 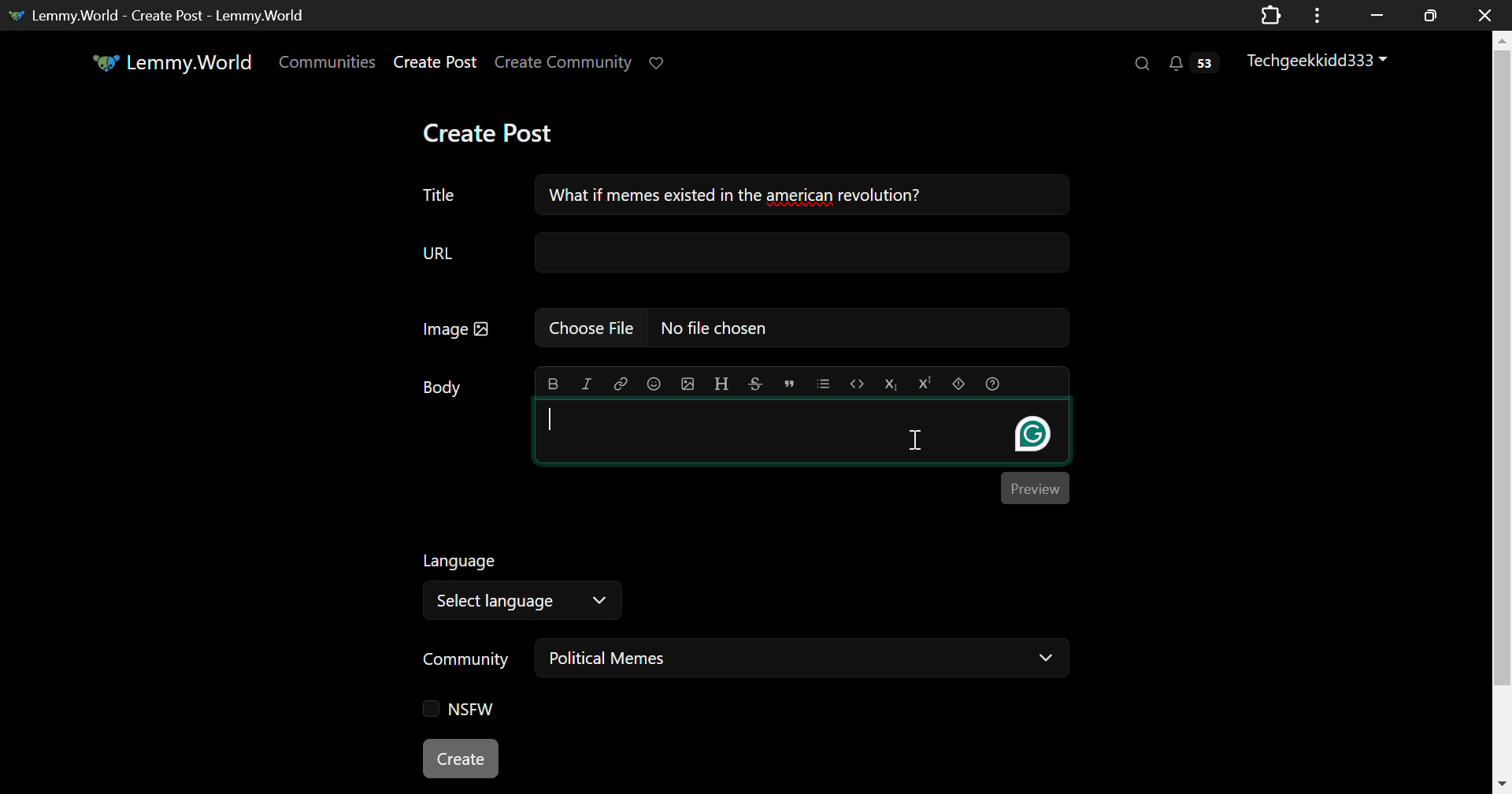 I want to click on URL Field, so click(x=746, y=252).